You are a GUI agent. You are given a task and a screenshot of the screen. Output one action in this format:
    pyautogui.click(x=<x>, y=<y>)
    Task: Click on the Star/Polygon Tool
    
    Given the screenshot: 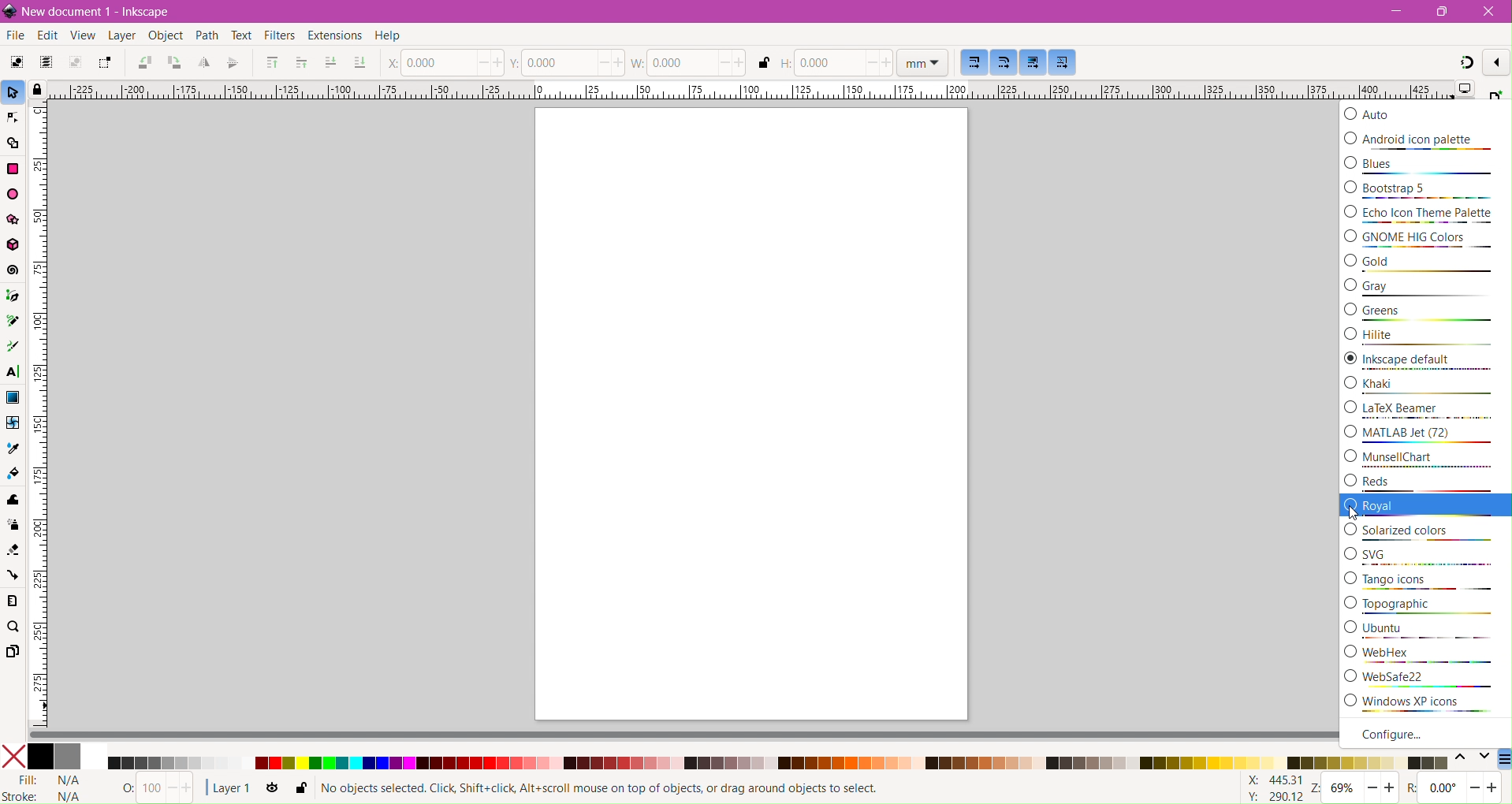 What is the action you would take?
    pyautogui.click(x=13, y=219)
    